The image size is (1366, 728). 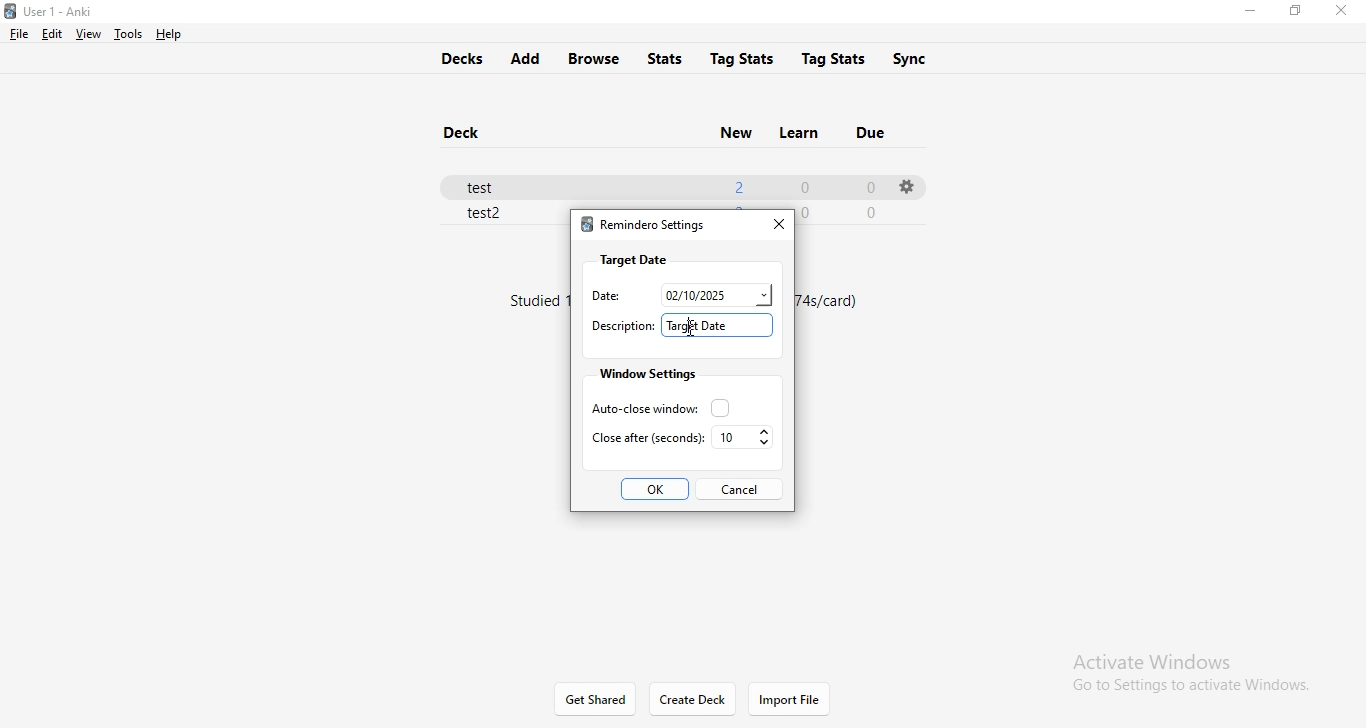 I want to click on edit, so click(x=50, y=33).